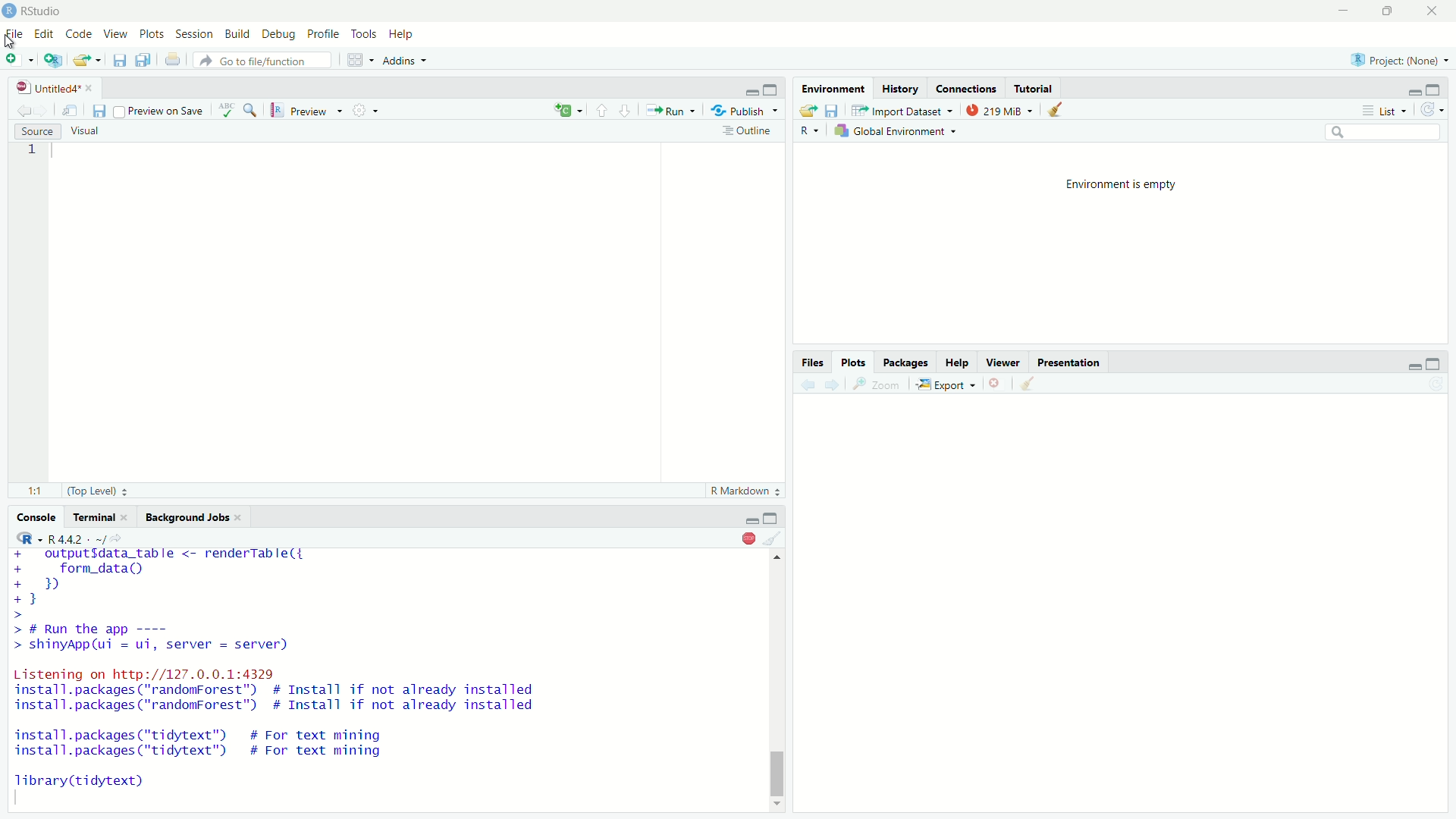 The width and height of the screenshot is (1456, 819). I want to click on save current document, so click(99, 110).